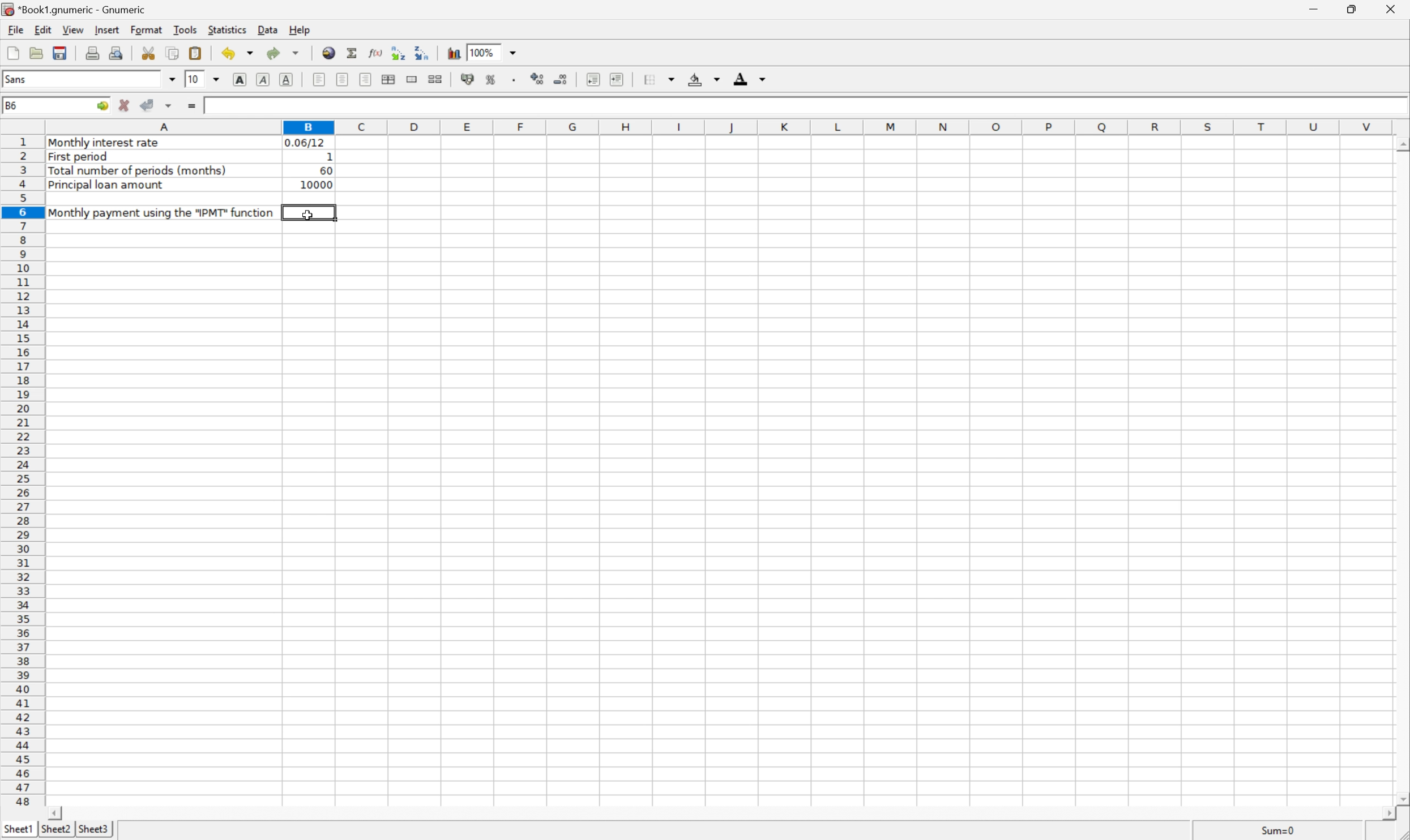 Image resolution: width=1410 pixels, height=840 pixels. What do you see at coordinates (19, 829) in the screenshot?
I see `Sheet1` at bounding box center [19, 829].